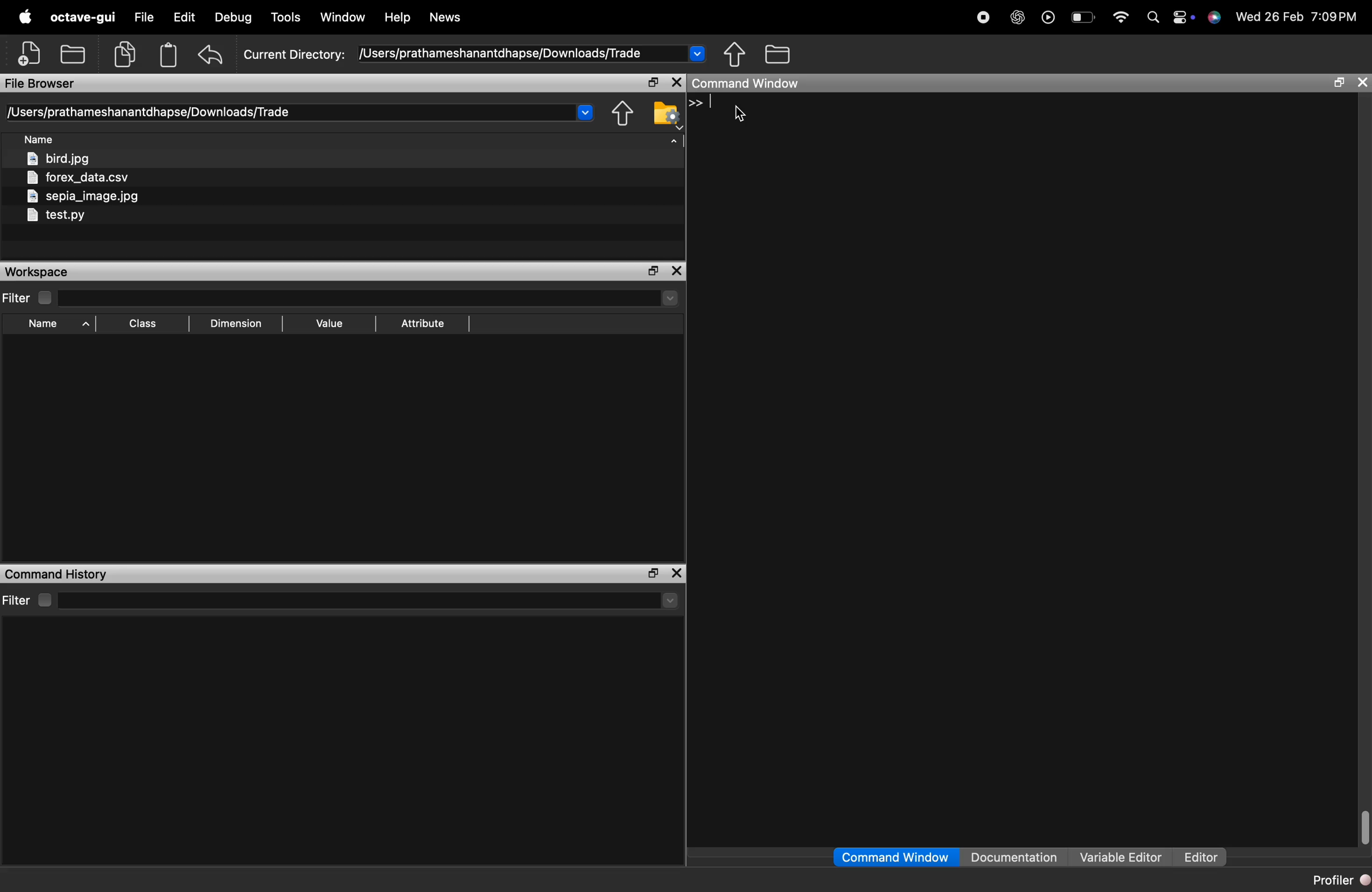 This screenshot has height=892, width=1372. What do you see at coordinates (301, 112) in the screenshot?
I see `current directory` at bounding box center [301, 112].